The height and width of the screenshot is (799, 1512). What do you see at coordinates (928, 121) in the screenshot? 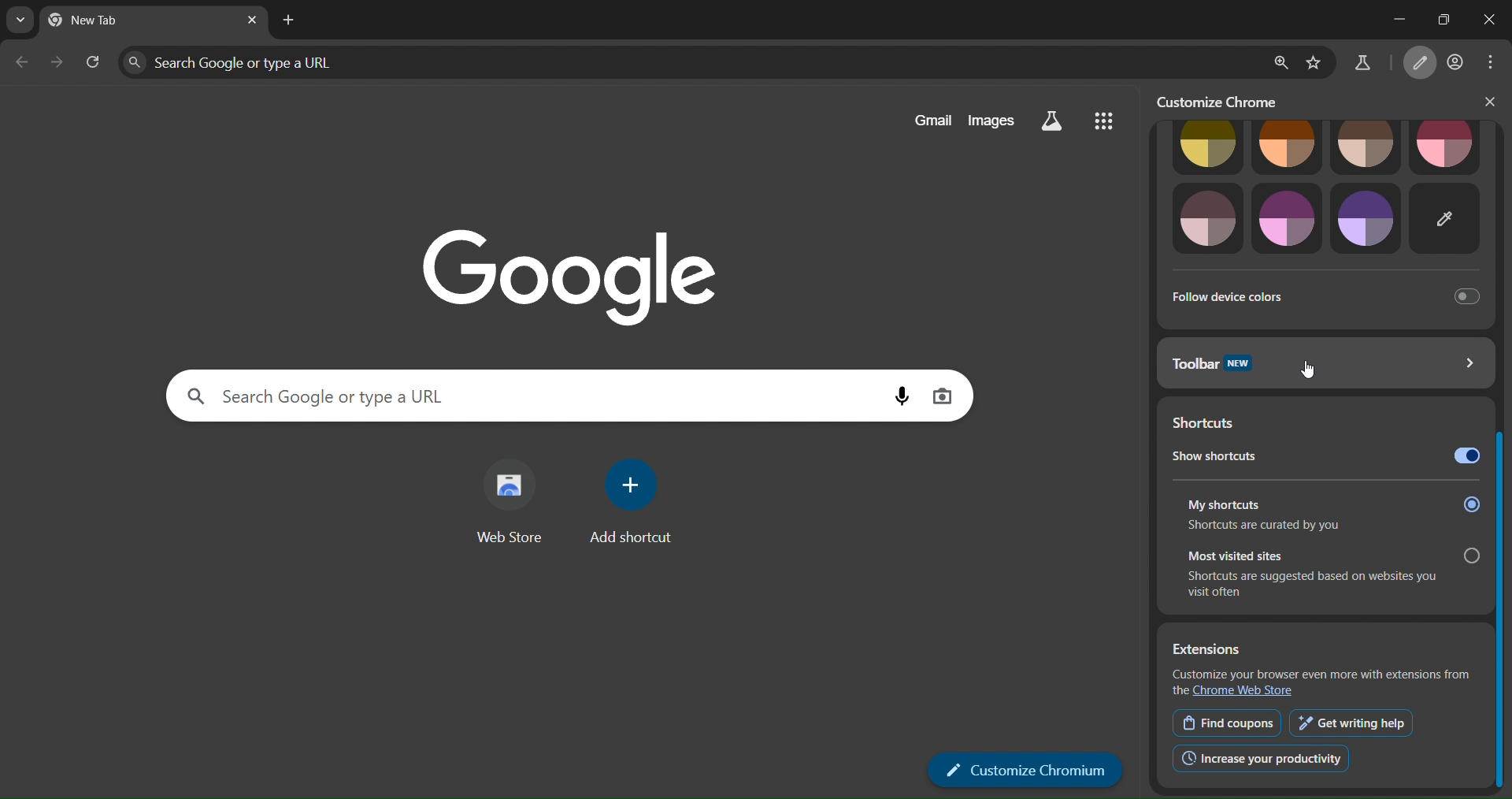
I see `gmail` at bounding box center [928, 121].